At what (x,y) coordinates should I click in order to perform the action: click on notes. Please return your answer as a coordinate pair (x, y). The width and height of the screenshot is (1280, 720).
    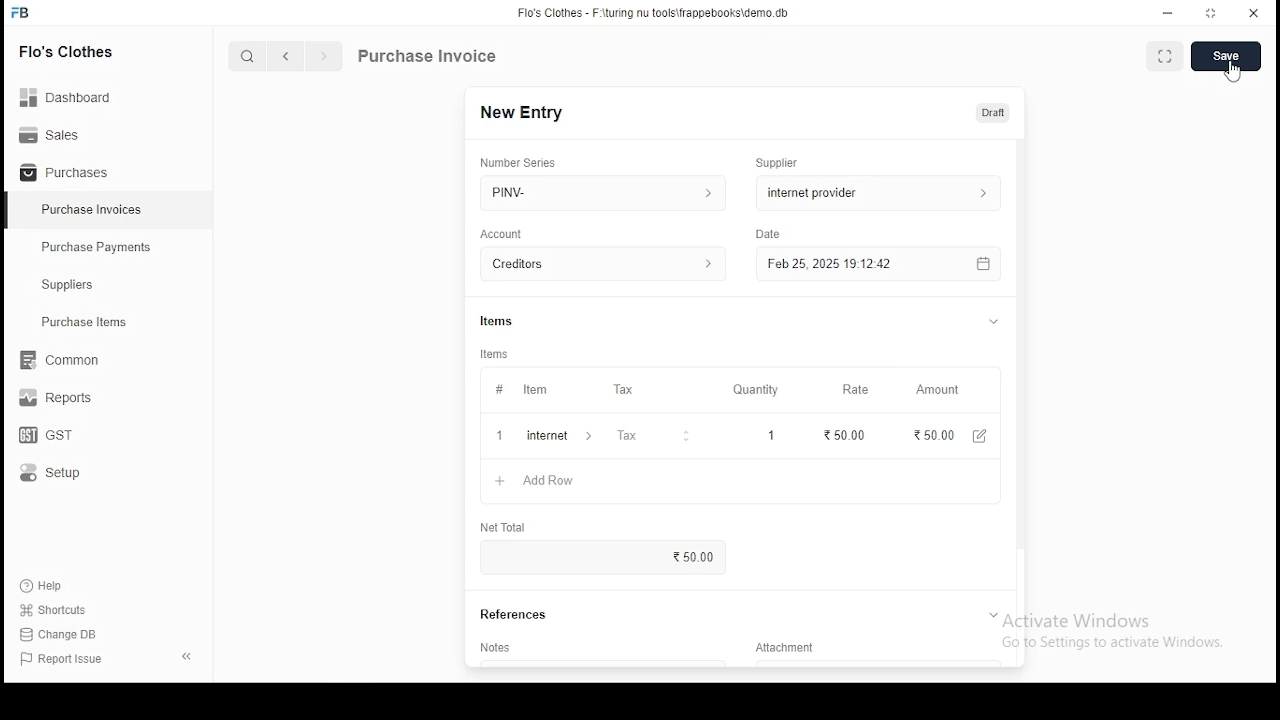
    Looking at the image, I should click on (498, 647).